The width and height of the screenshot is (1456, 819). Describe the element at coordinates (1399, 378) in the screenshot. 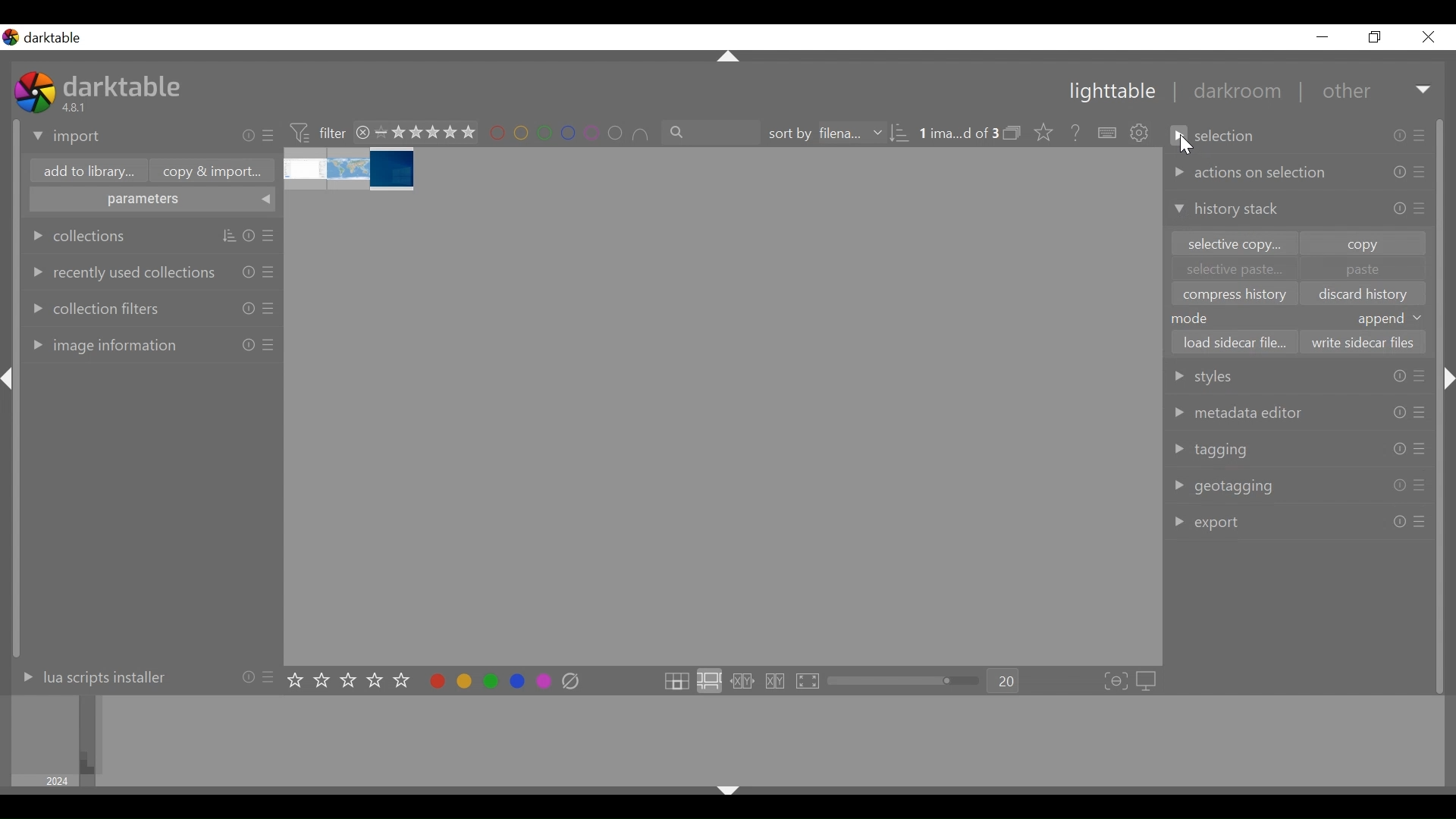

I see `info` at that location.